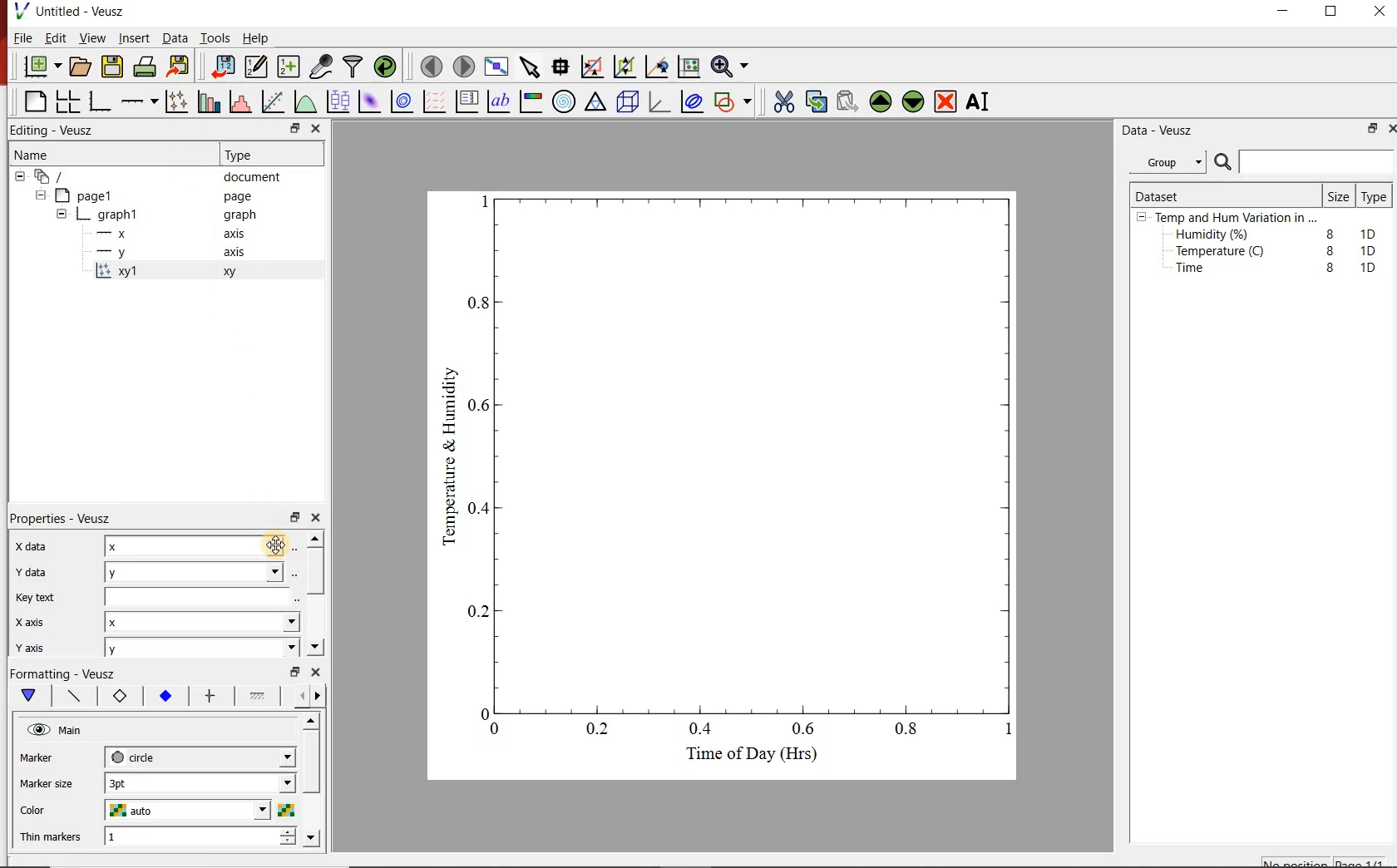 This screenshot has width=1397, height=868. Describe the element at coordinates (1289, 12) in the screenshot. I see `minimize` at that location.